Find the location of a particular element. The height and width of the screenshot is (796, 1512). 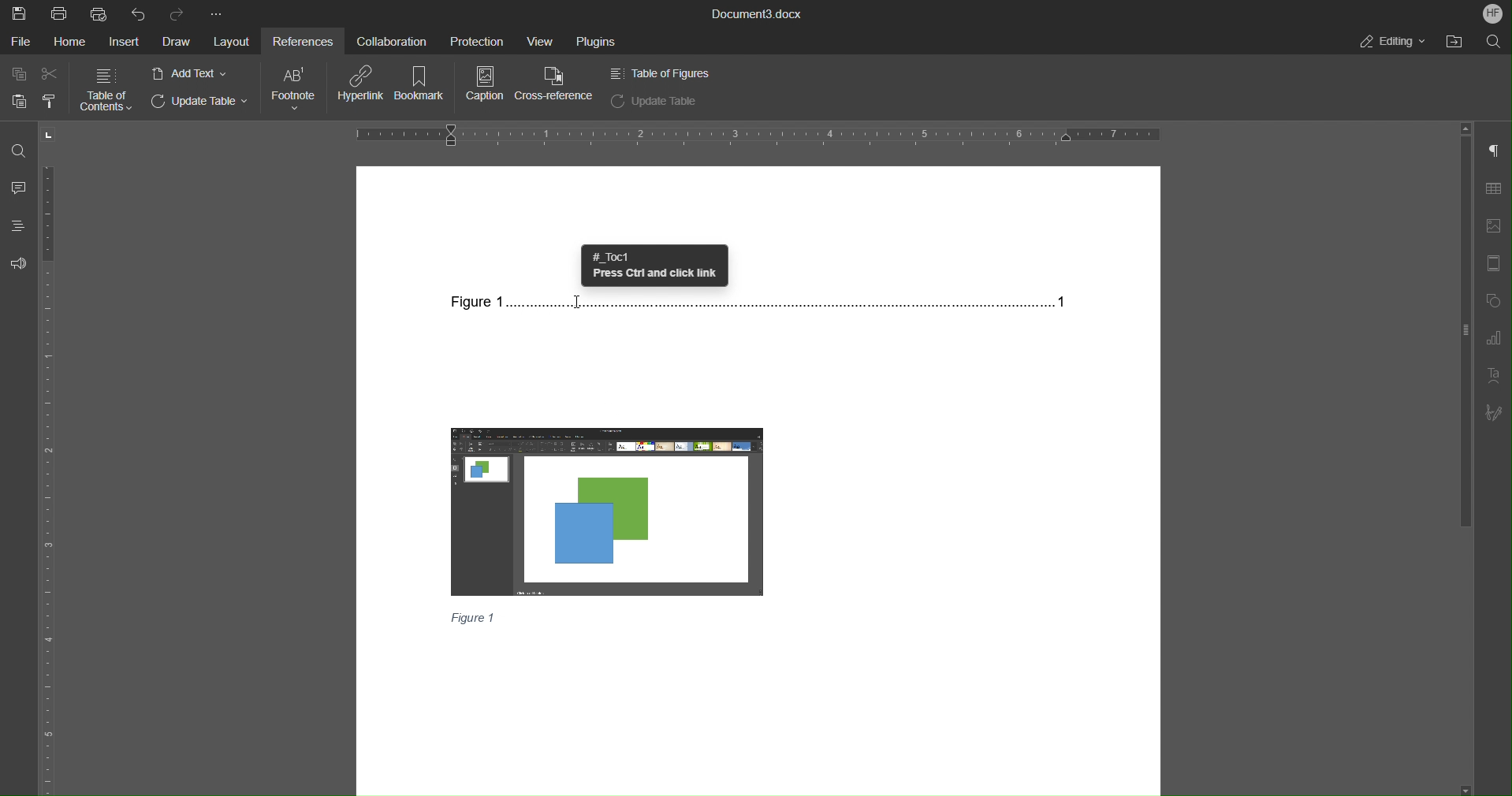

Figure 1 is located at coordinates (758, 302).